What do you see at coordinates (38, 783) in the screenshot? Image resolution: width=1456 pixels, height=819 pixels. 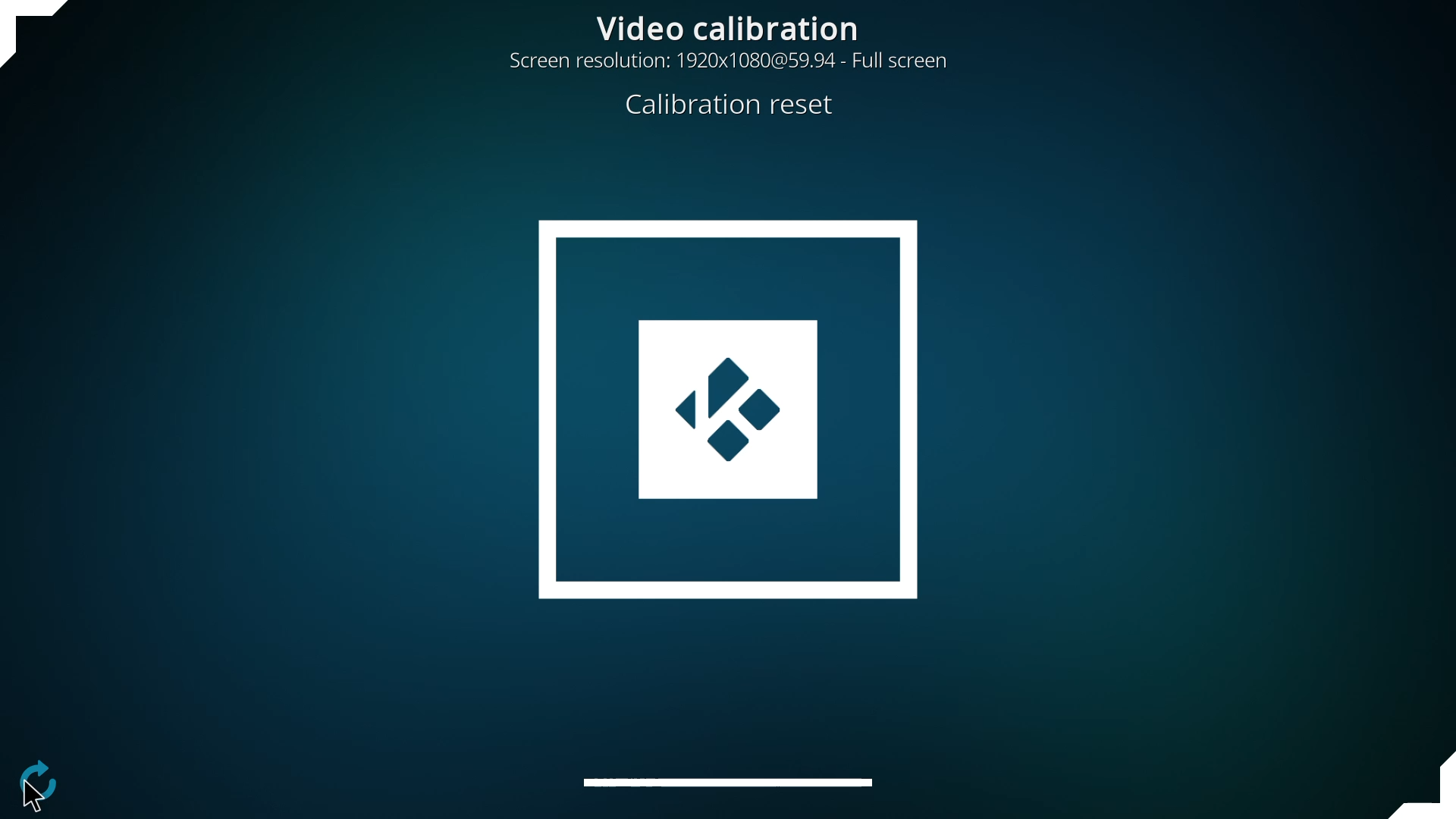 I see `configure` at bounding box center [38, 783].